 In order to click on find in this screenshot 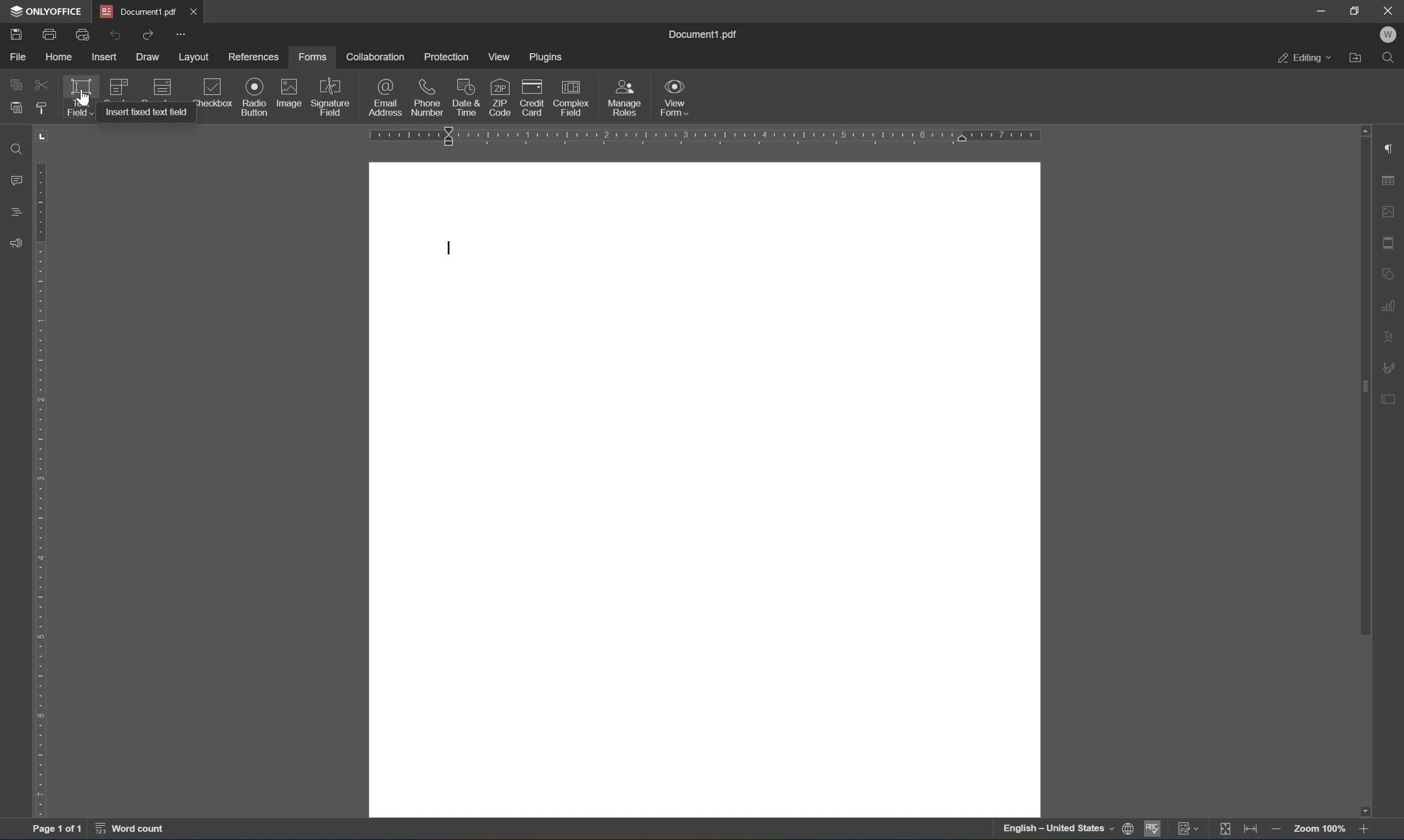, I will do `click(20, 149)`.